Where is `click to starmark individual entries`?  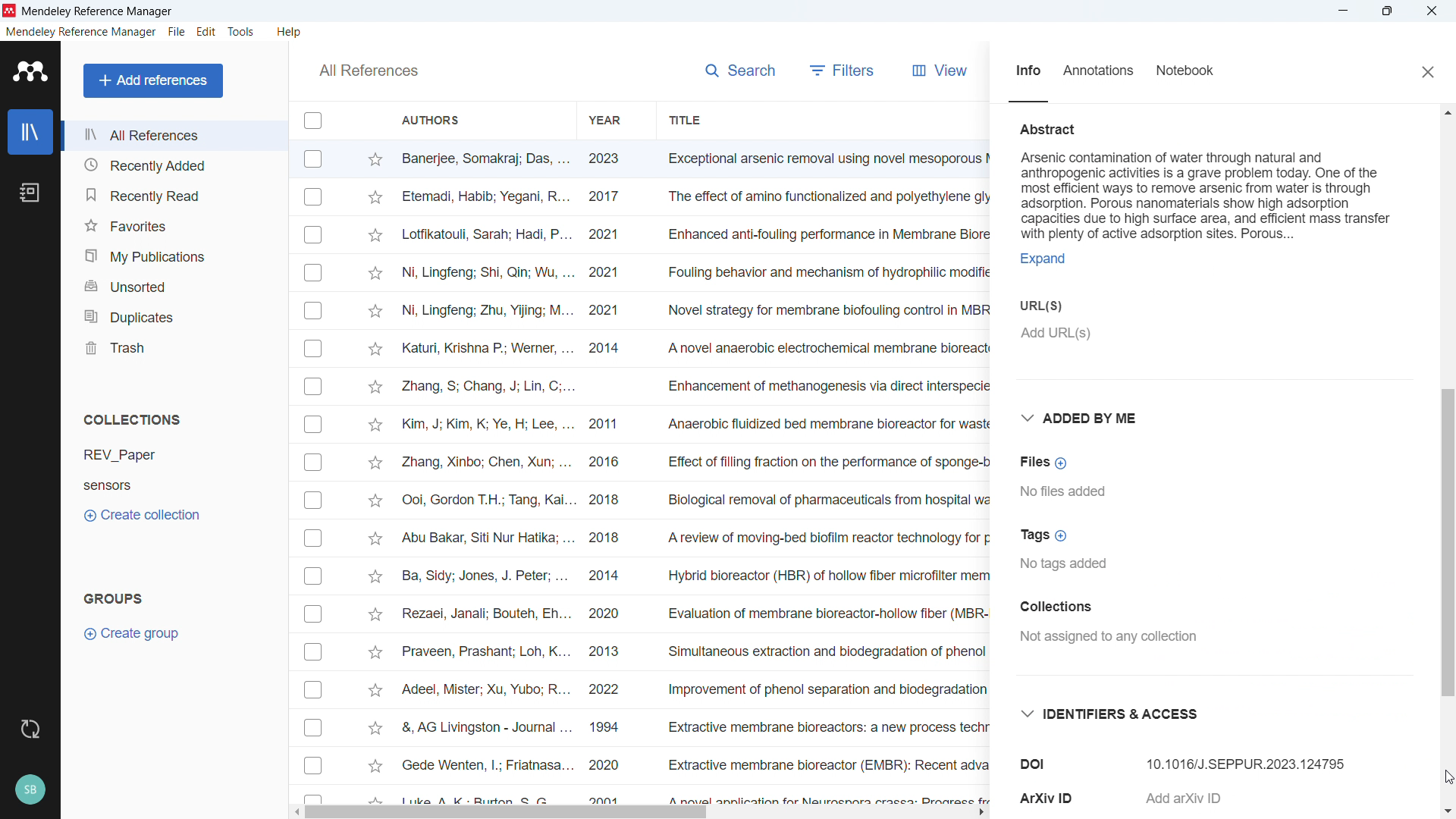
click to starmark individual entries is located at coordinates (376, 199).